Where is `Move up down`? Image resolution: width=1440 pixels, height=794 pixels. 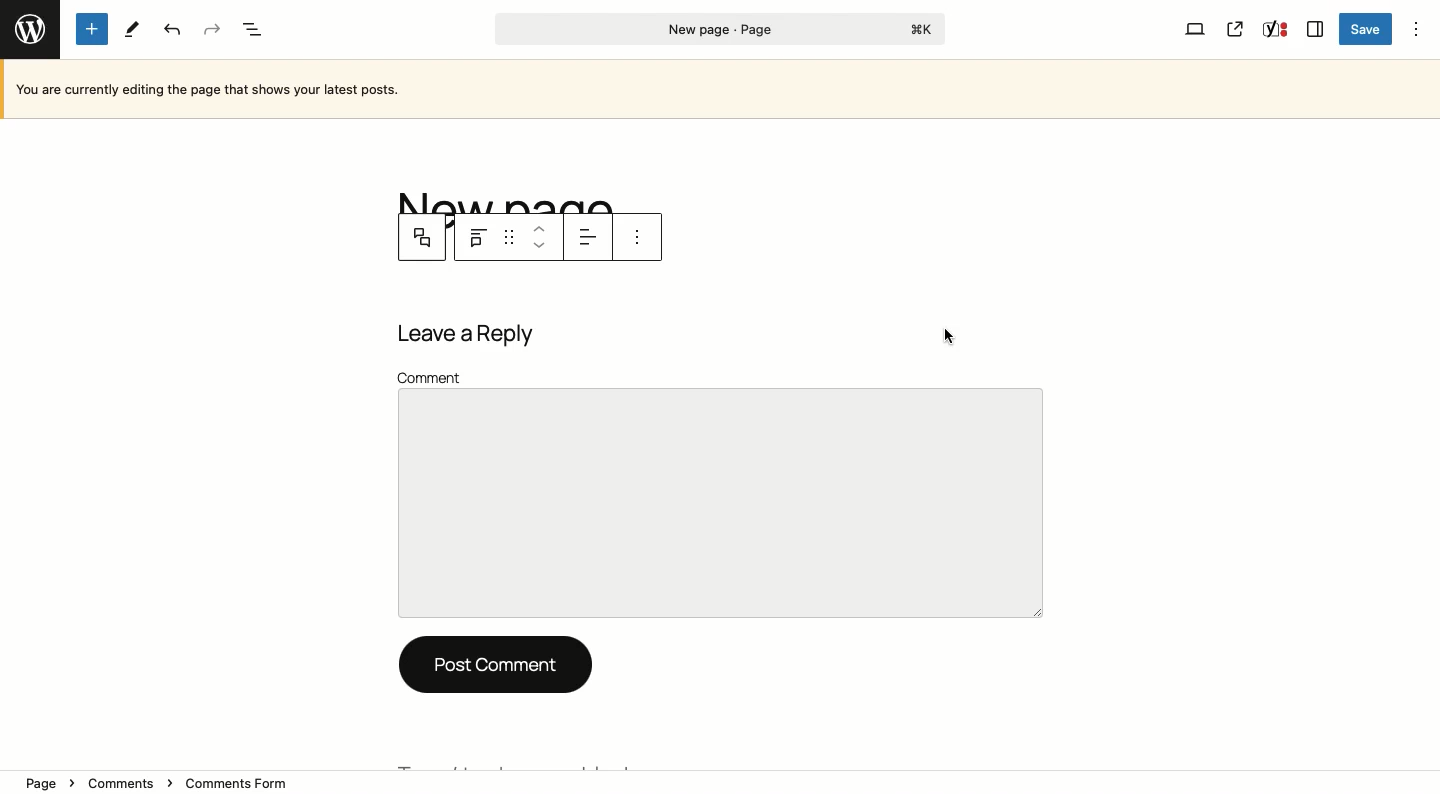
Move up down is located at coordinates (540, 236).